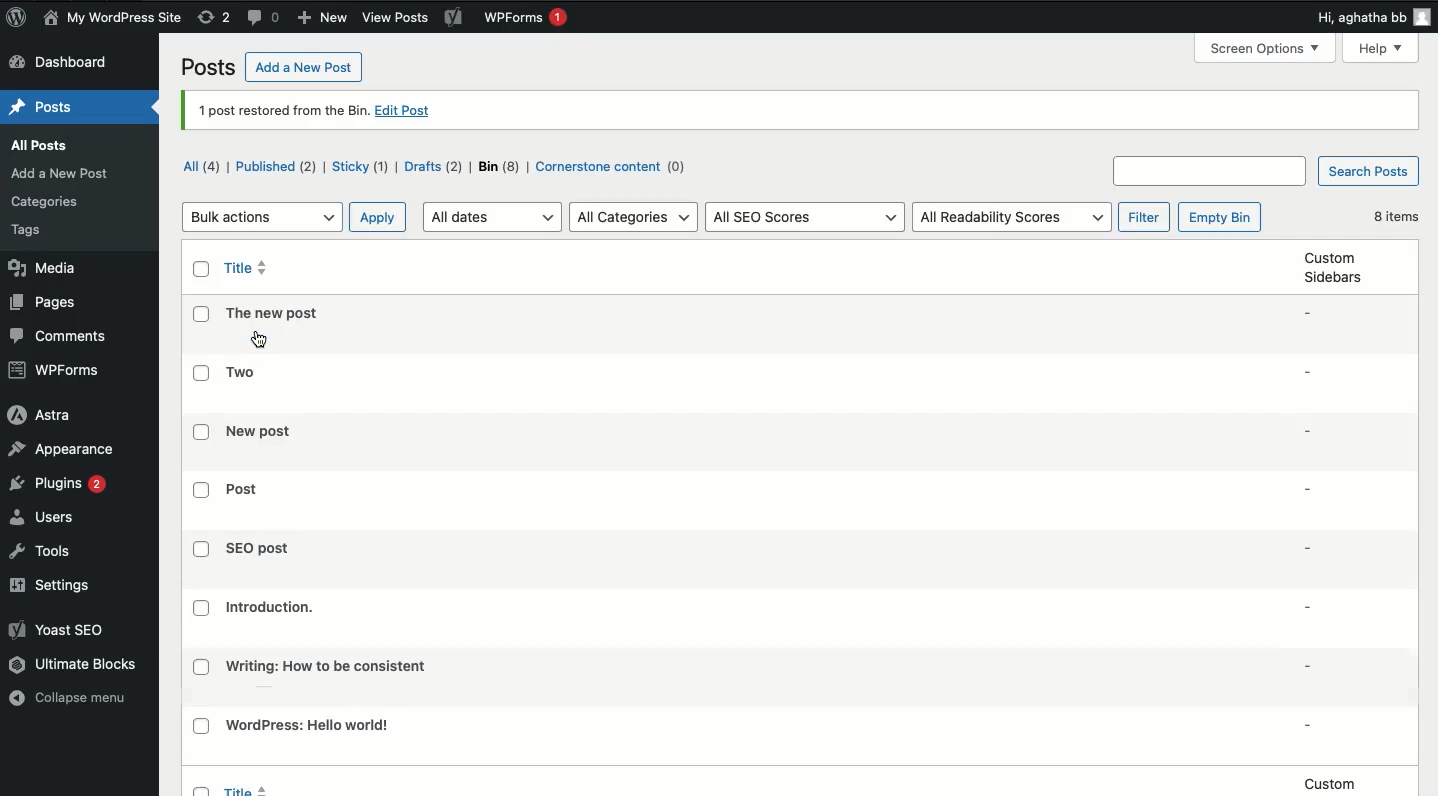 The height and width of the screenshot is (796, 1438). I want to click on WPForms, so click(58, 370).